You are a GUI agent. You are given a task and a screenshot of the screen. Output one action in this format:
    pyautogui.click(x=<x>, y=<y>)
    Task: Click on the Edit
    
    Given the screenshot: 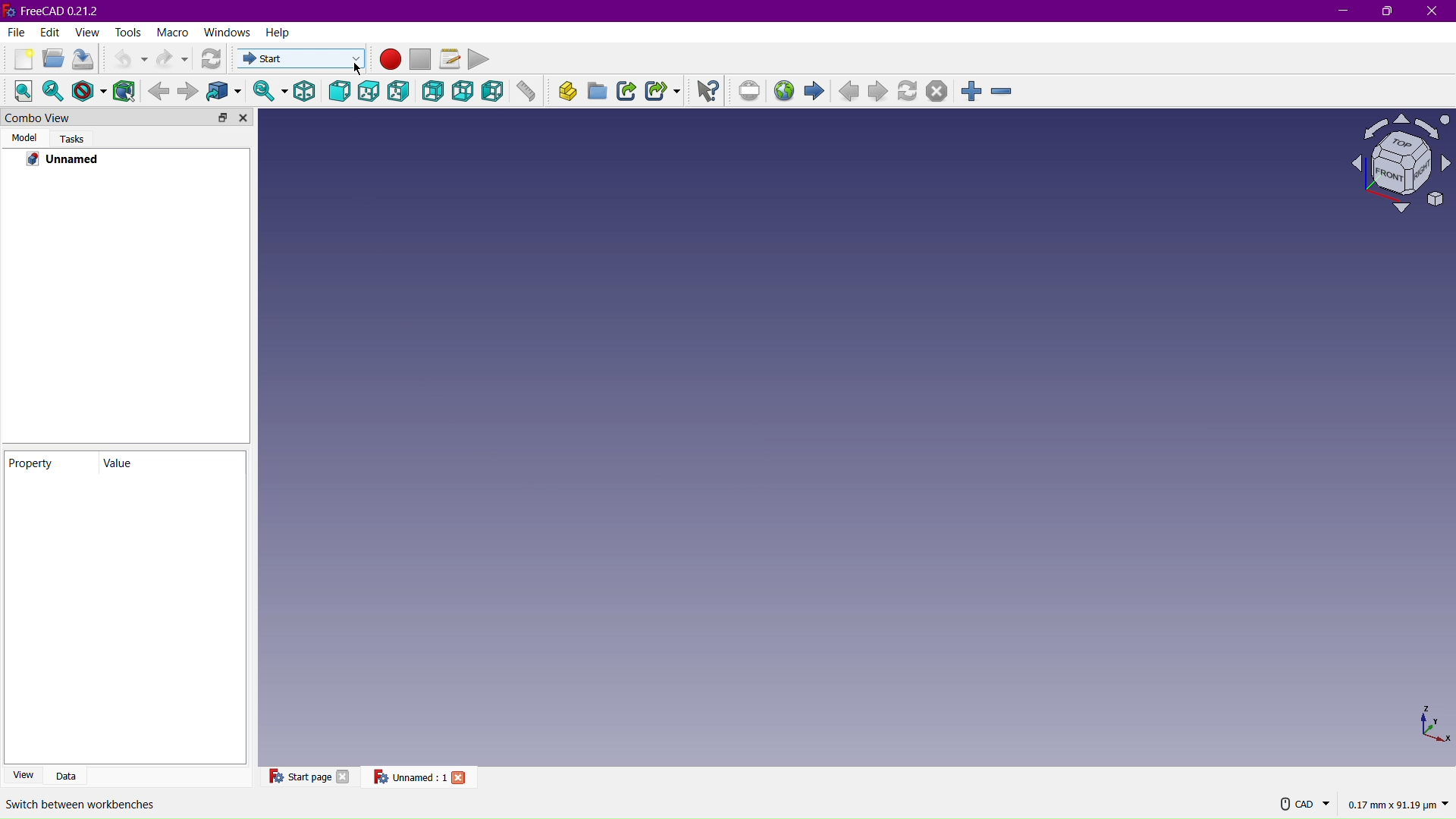 What is the action you would take?
    pyautogui.click(x=49, y=34)
    